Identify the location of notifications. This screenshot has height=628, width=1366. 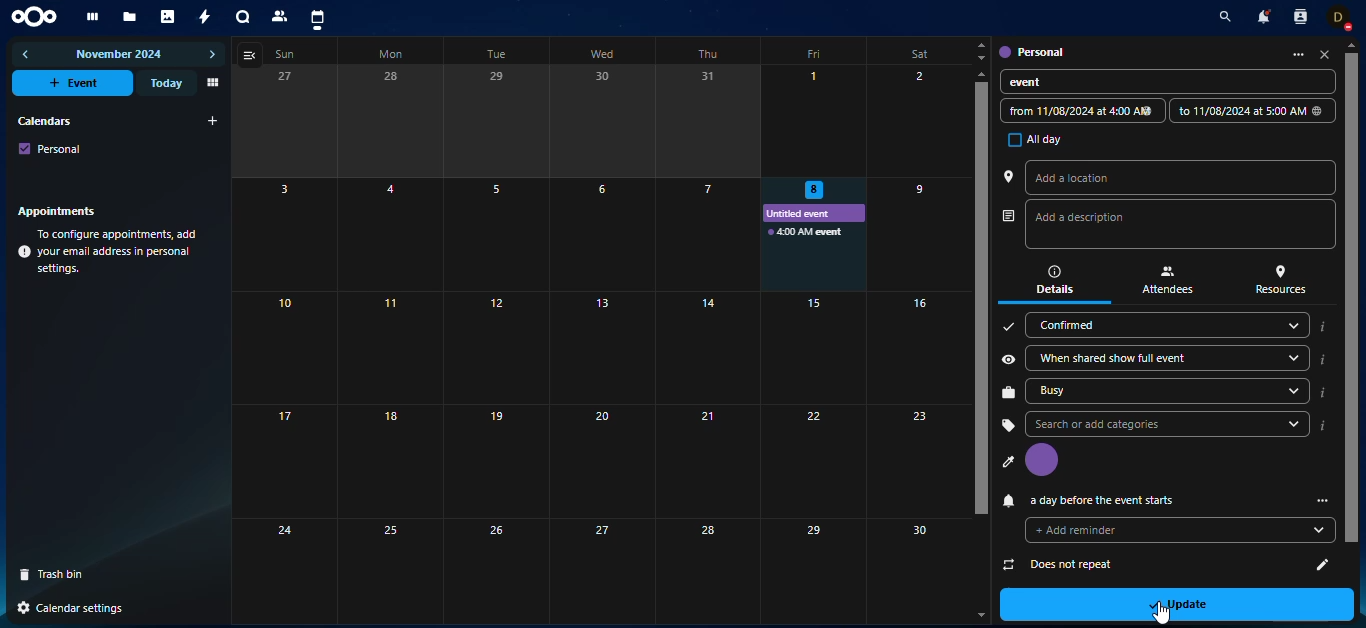
(1261, 16).